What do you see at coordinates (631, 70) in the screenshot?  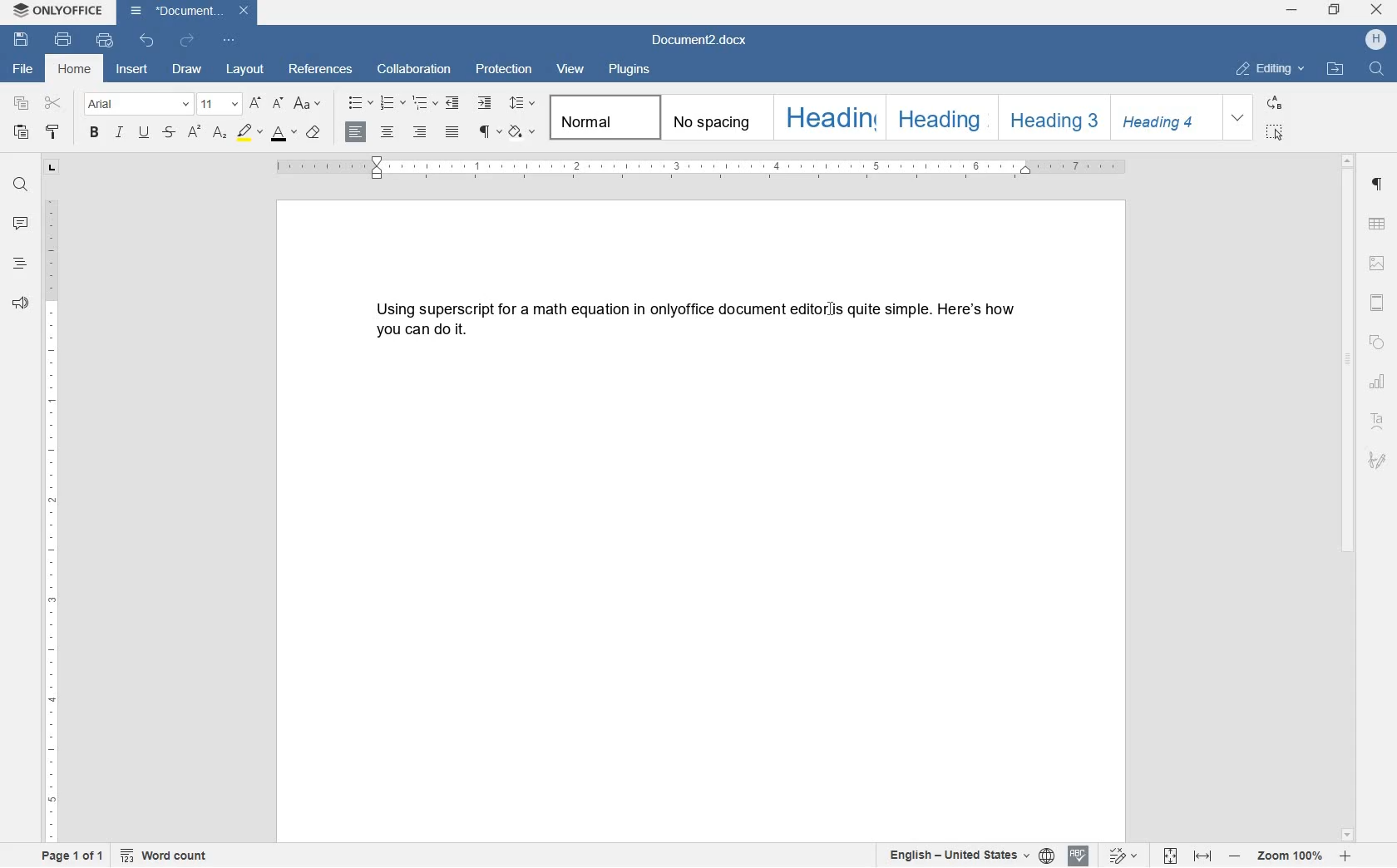 I see `plugins` at bounding box center [631, 70].